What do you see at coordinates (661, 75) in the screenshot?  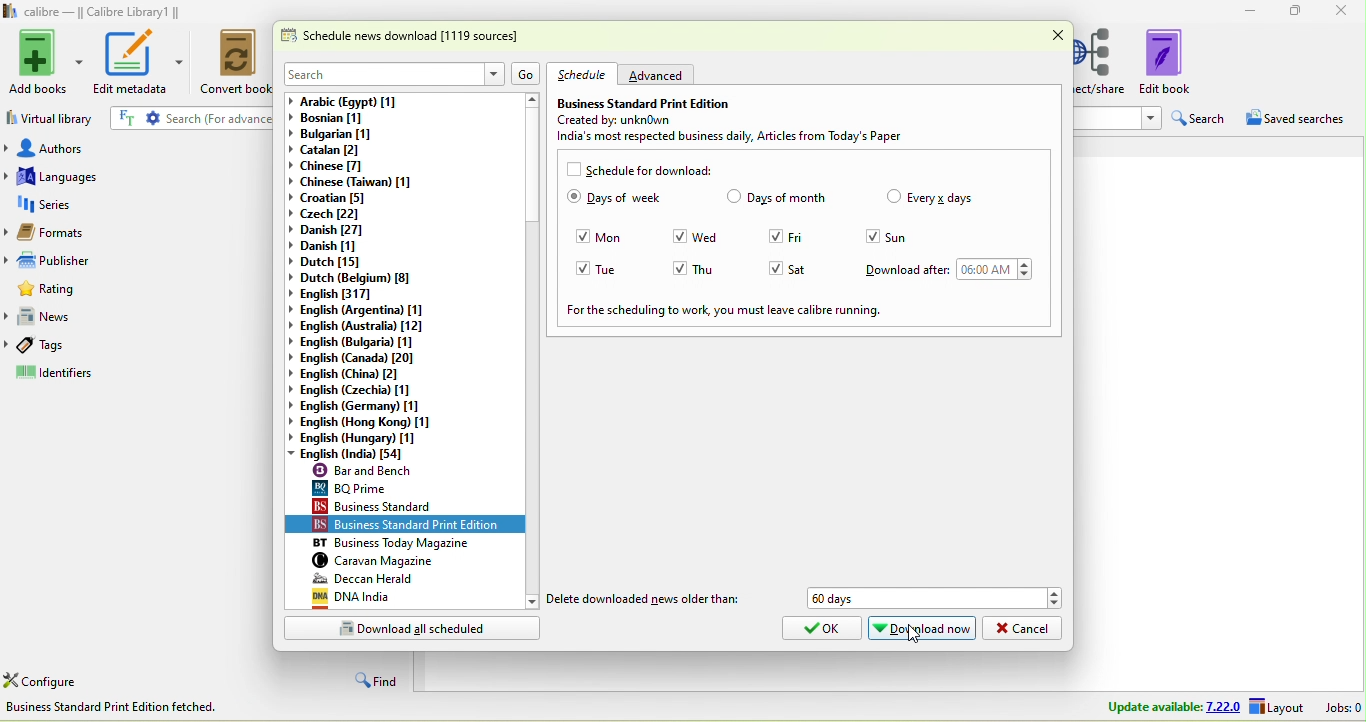 I see `advanced` at bounding box center [661, 75].